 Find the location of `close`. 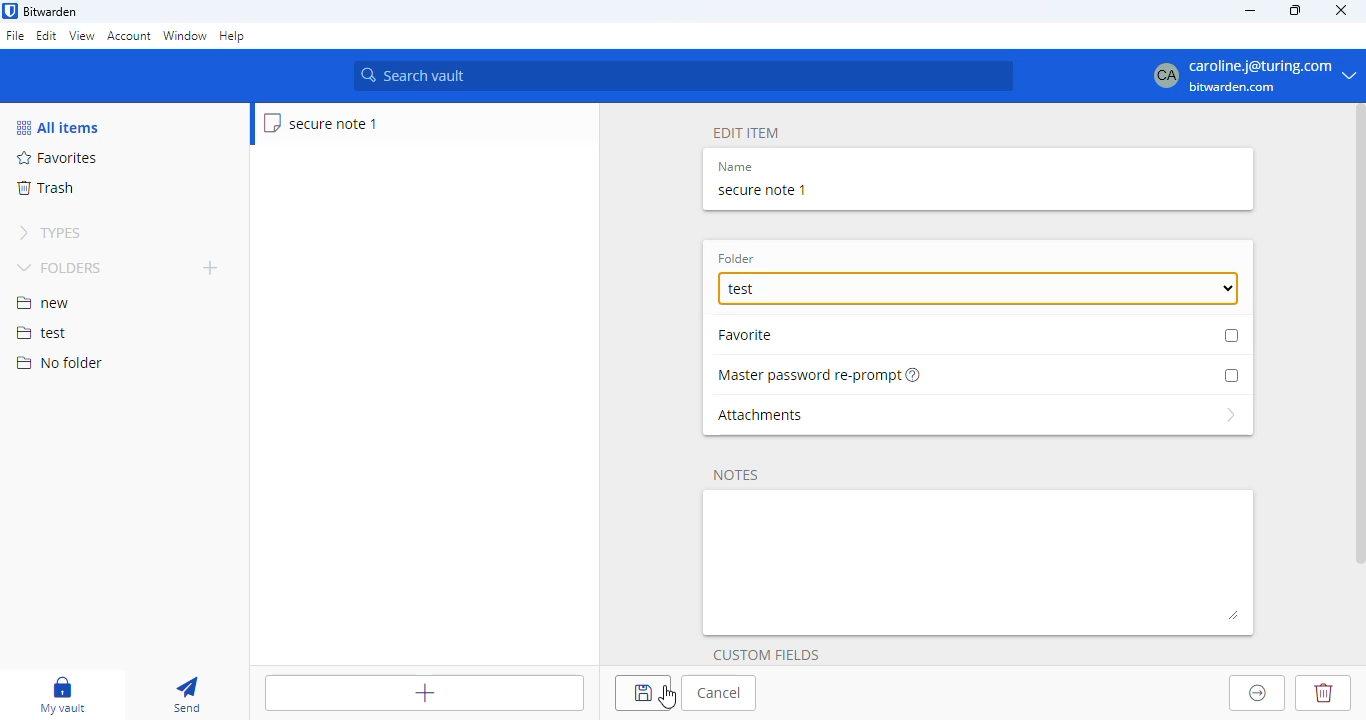

close is located at coordinates (1342, 9).